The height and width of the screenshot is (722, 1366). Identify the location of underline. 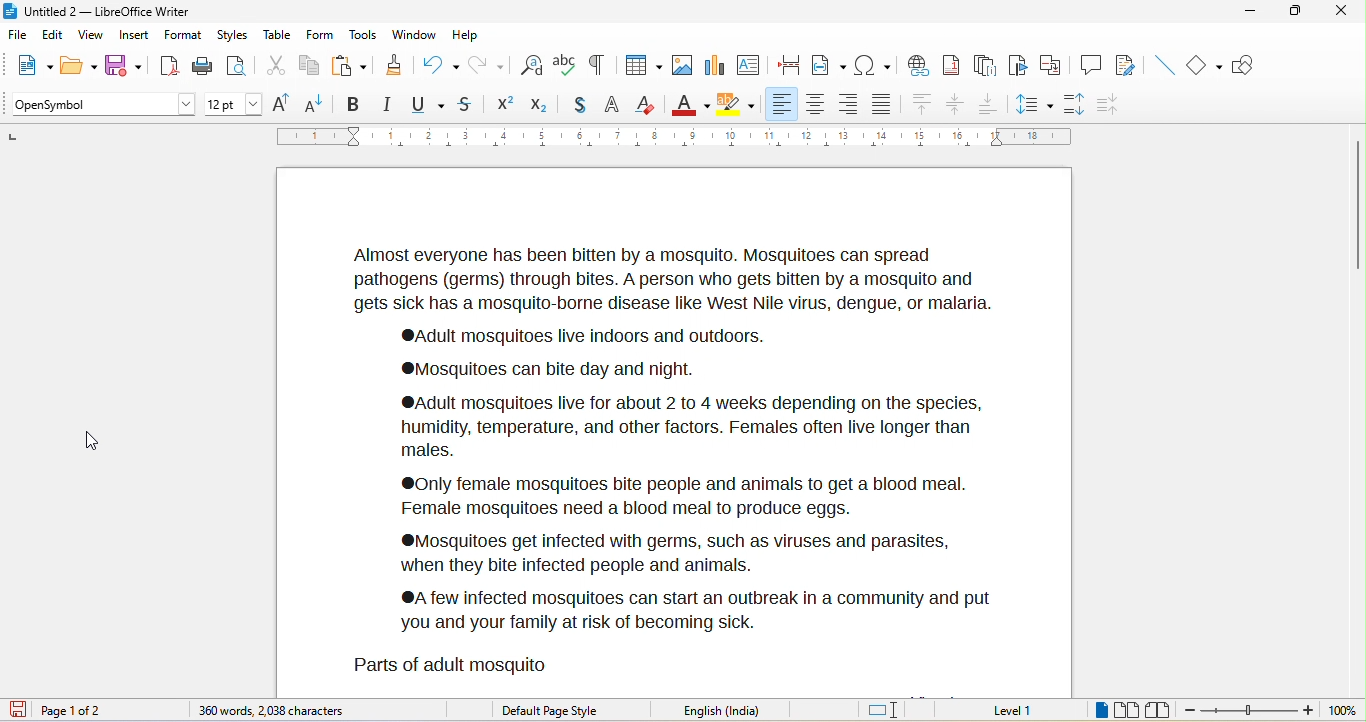
(429, 103).